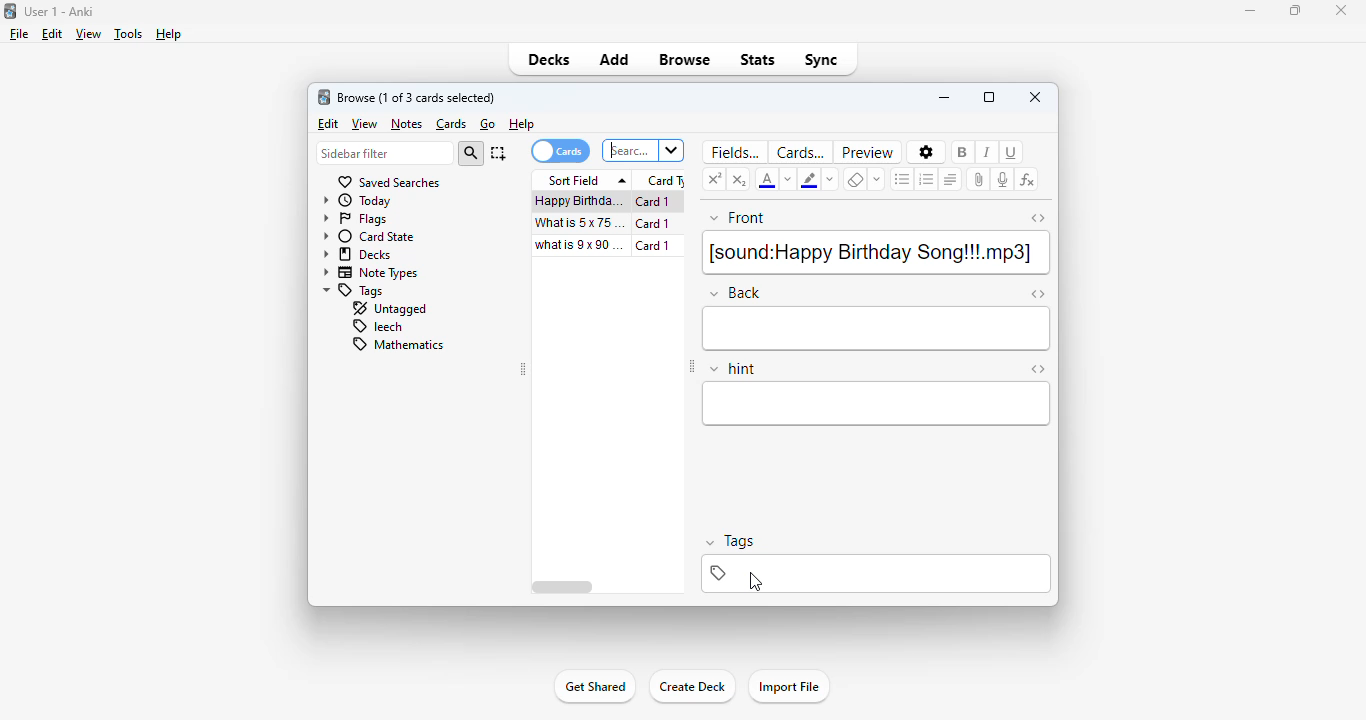 The width and height of the screenshot is (1366, 720). Describe the element at coordinates (583, 180) in the screenshot. I see `sort field` at that location.